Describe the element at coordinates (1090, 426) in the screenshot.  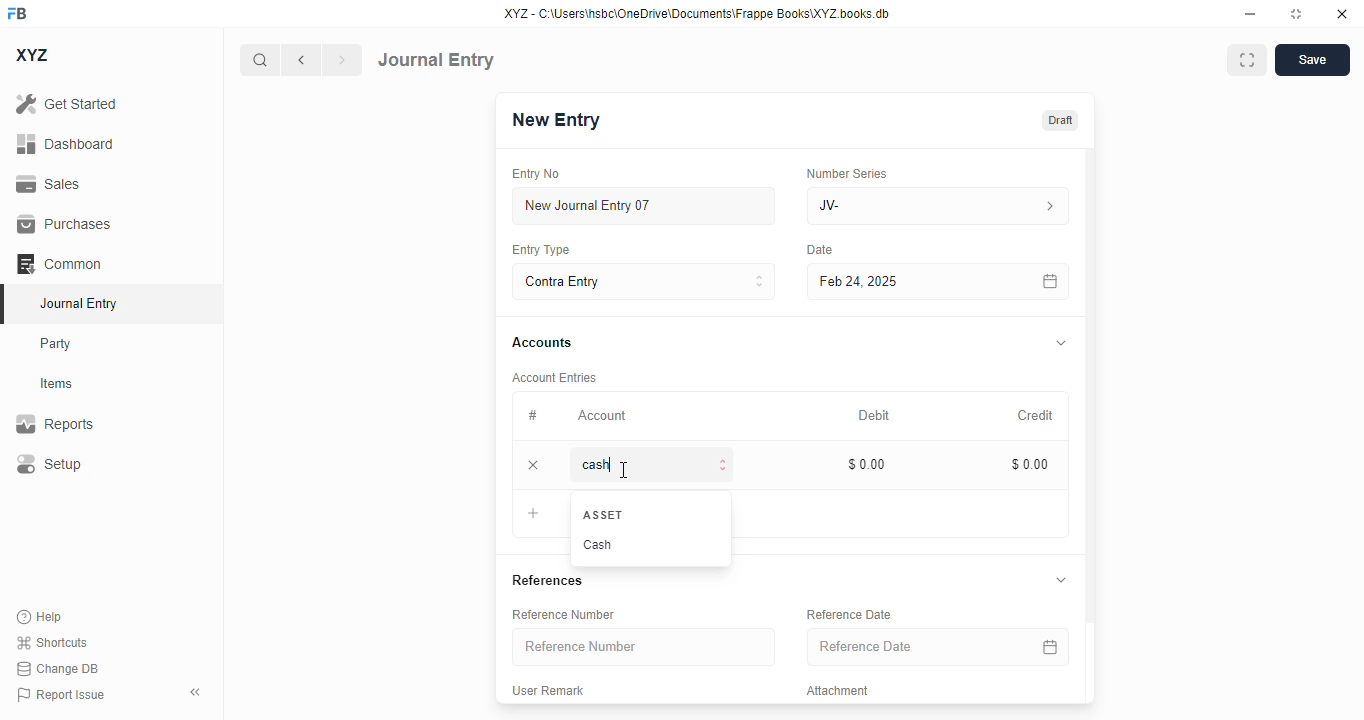
I see `vertical scroll bar` at that location.